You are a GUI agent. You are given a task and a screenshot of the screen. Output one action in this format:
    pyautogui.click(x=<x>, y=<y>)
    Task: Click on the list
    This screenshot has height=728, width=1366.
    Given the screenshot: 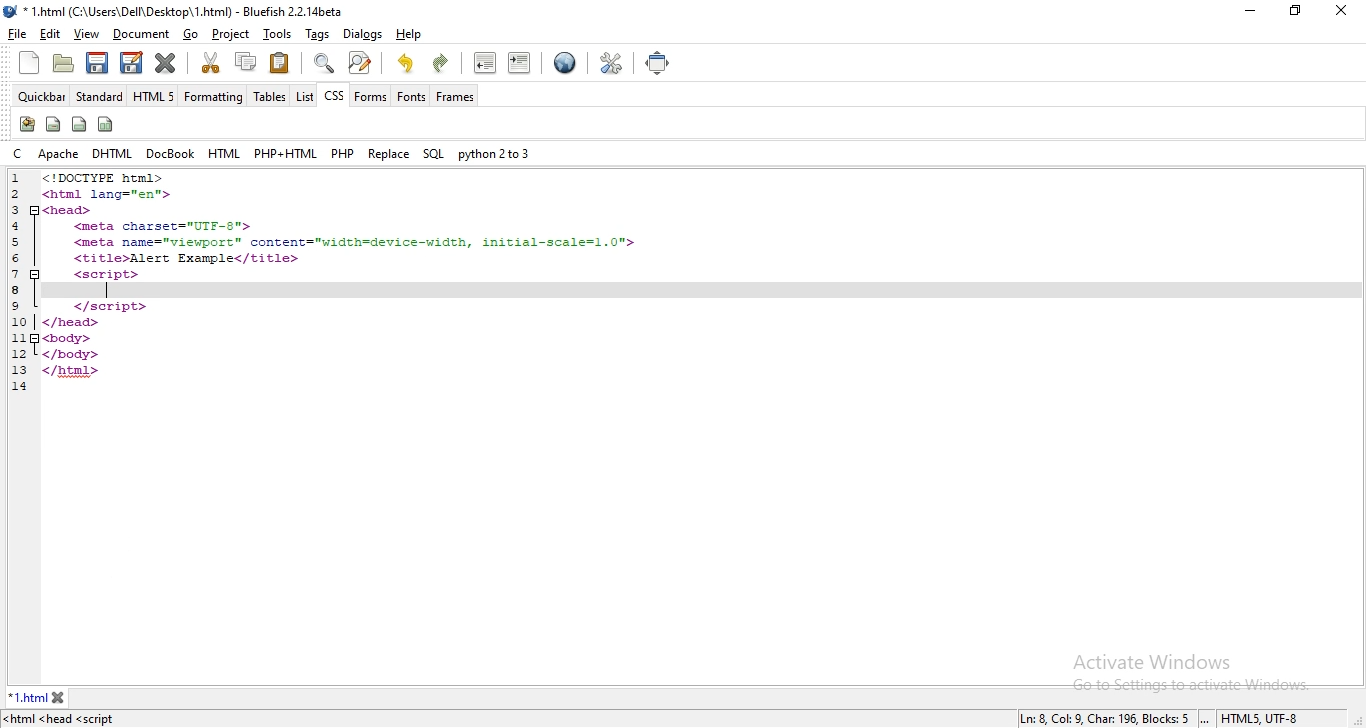 What is the action you would take?
    pyautogui.click(x=303, y=95)
    